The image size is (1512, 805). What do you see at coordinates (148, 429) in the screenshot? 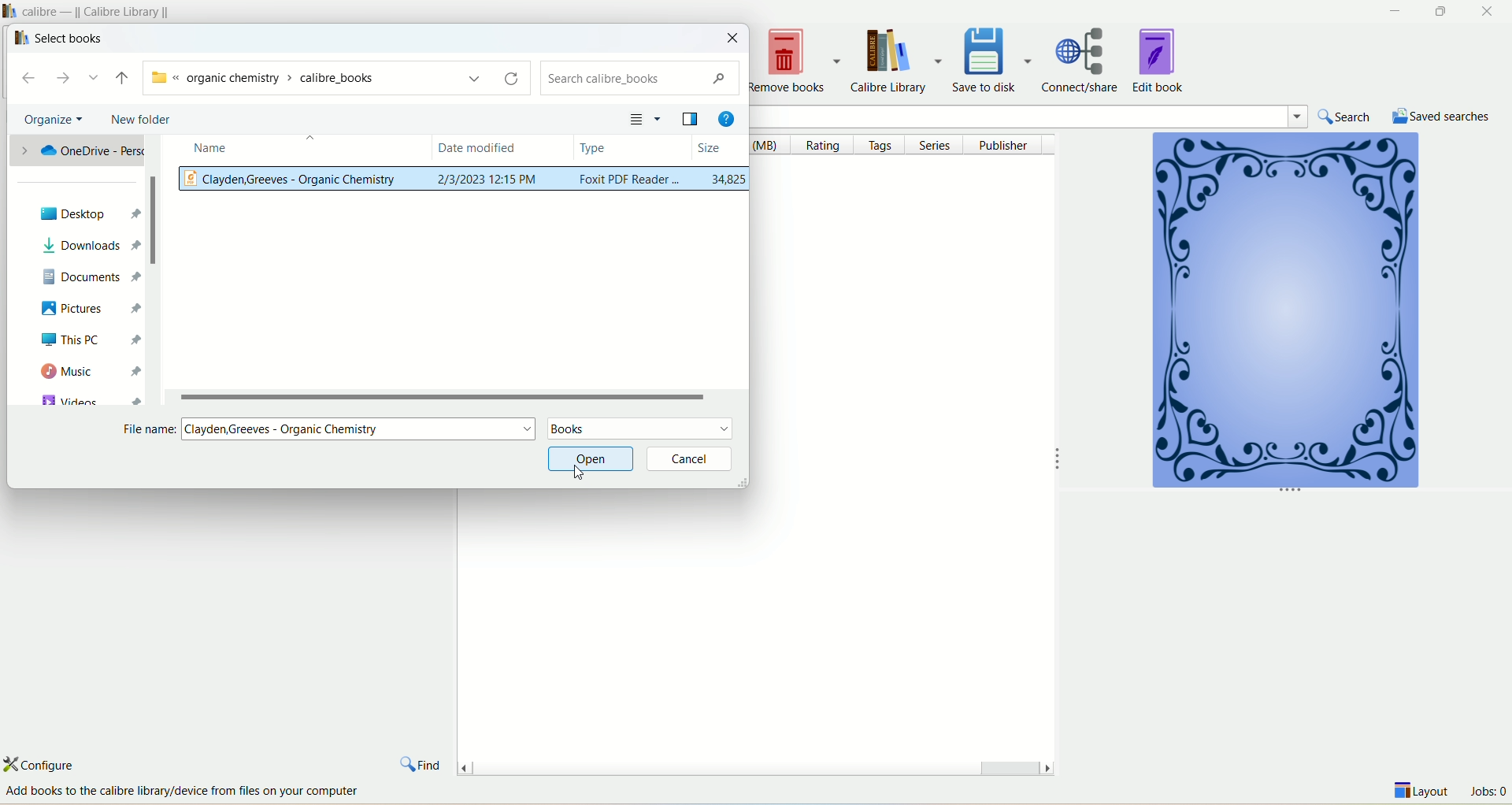
I see `file name` at bounding box center [148, 429].